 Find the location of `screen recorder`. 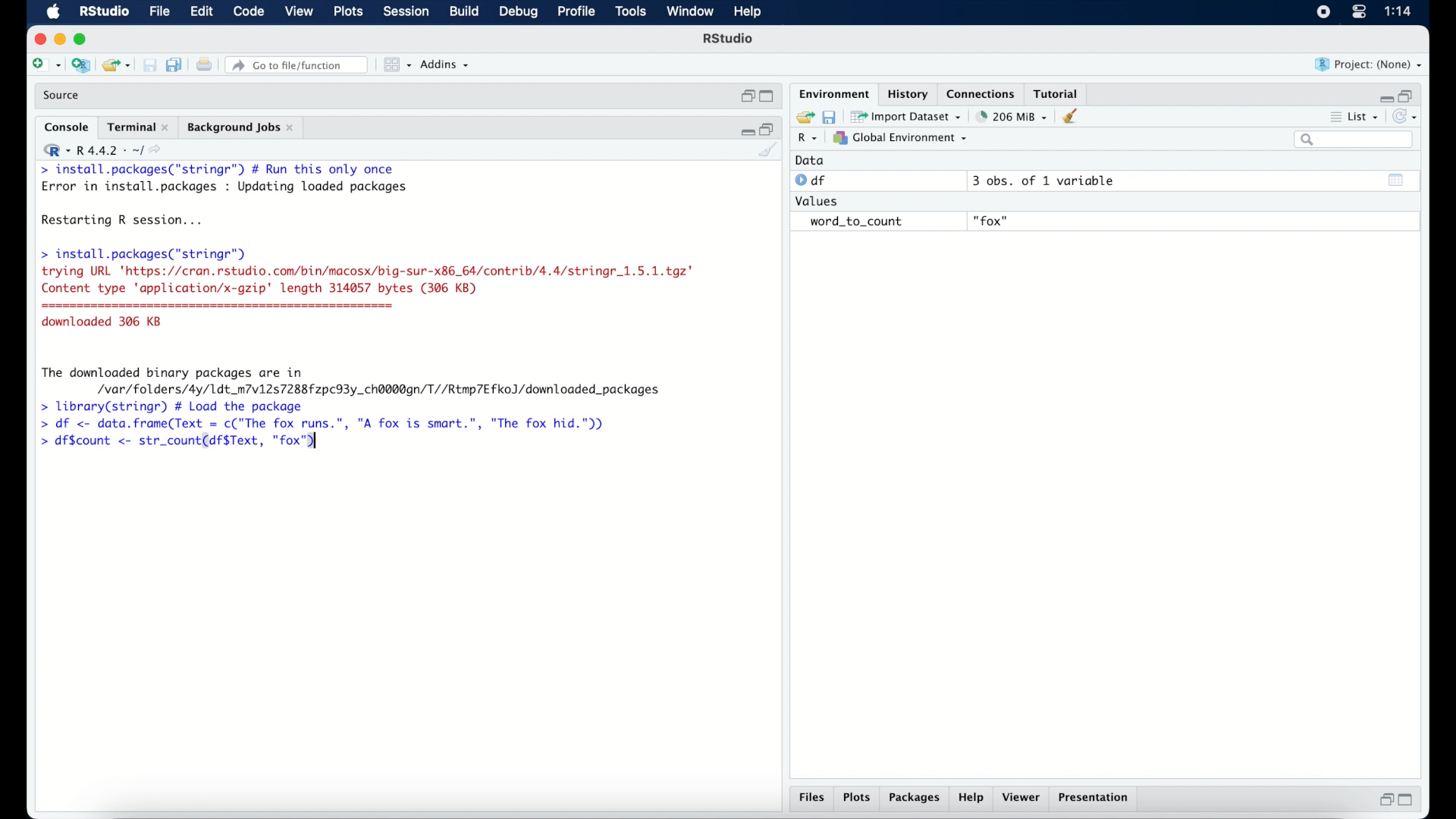

screen recorder is located at coordinates (1323, 13).